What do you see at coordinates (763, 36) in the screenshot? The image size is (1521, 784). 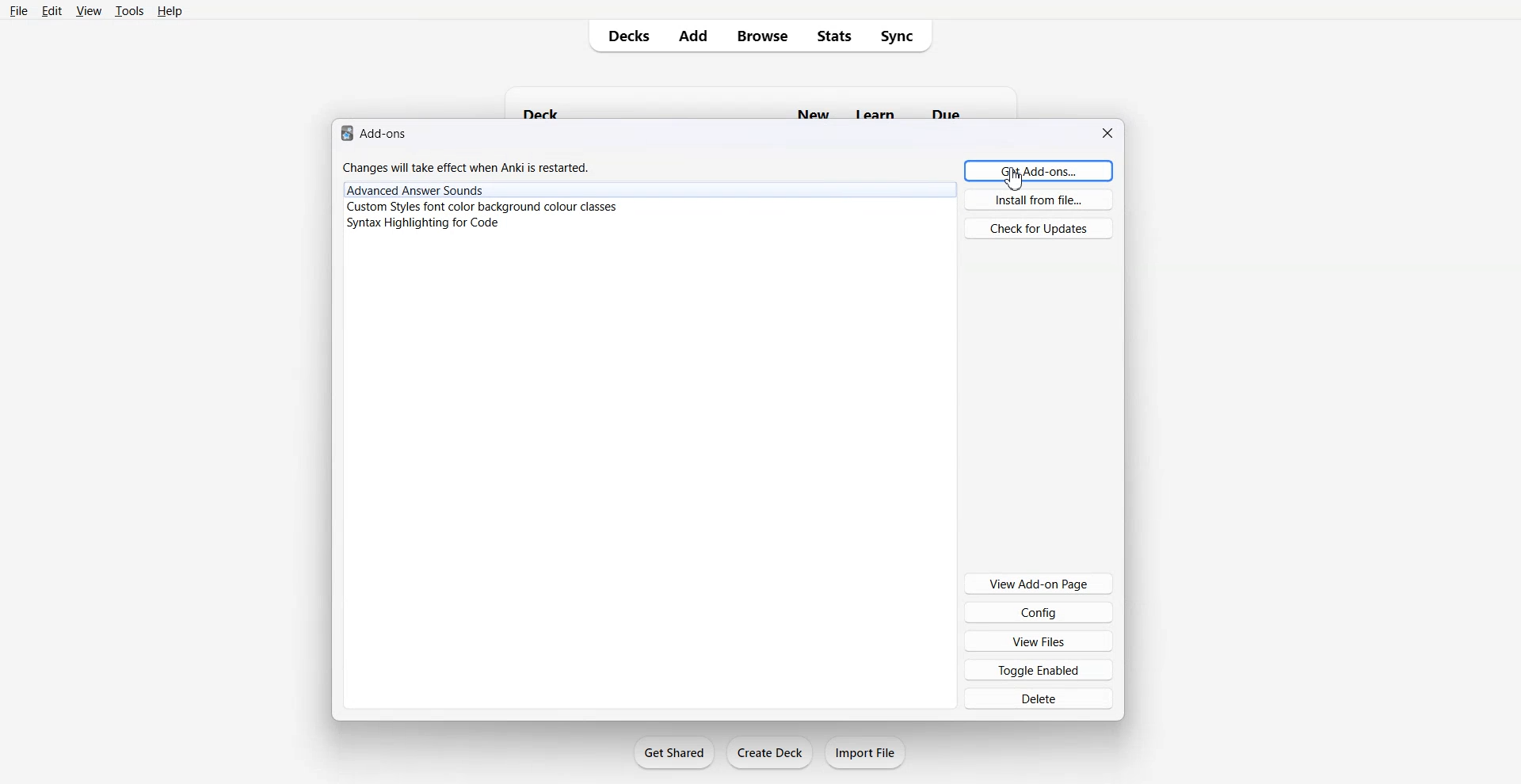 I see `Browse` at bounding box center [763, 36].